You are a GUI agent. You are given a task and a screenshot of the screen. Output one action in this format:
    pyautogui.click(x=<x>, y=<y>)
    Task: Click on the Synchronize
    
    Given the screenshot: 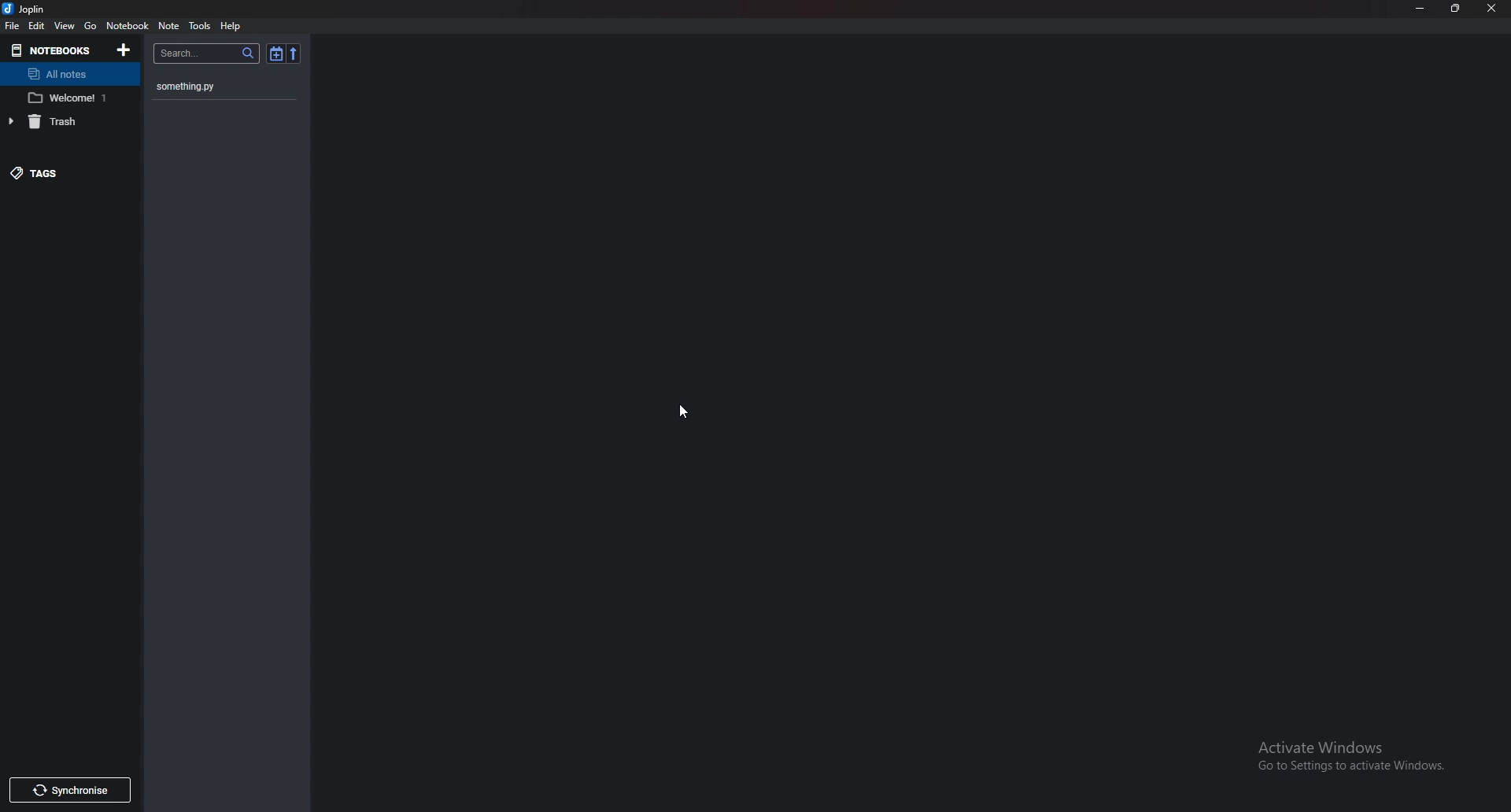 What is the action you would take?
    pyautogui.click(x=71, y=791)
    